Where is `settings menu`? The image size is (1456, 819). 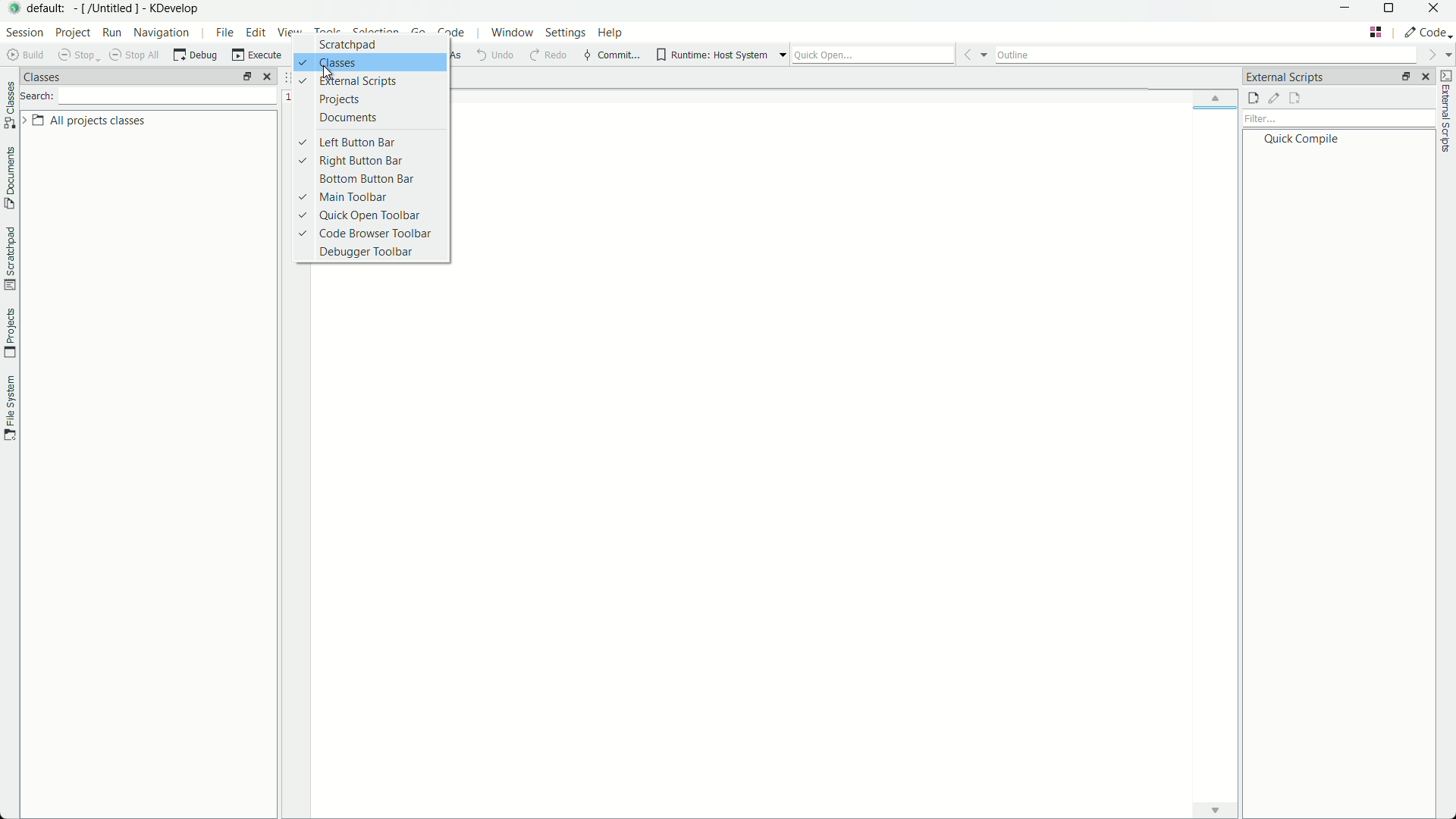
settings menu is located at coordinates (565, 33).